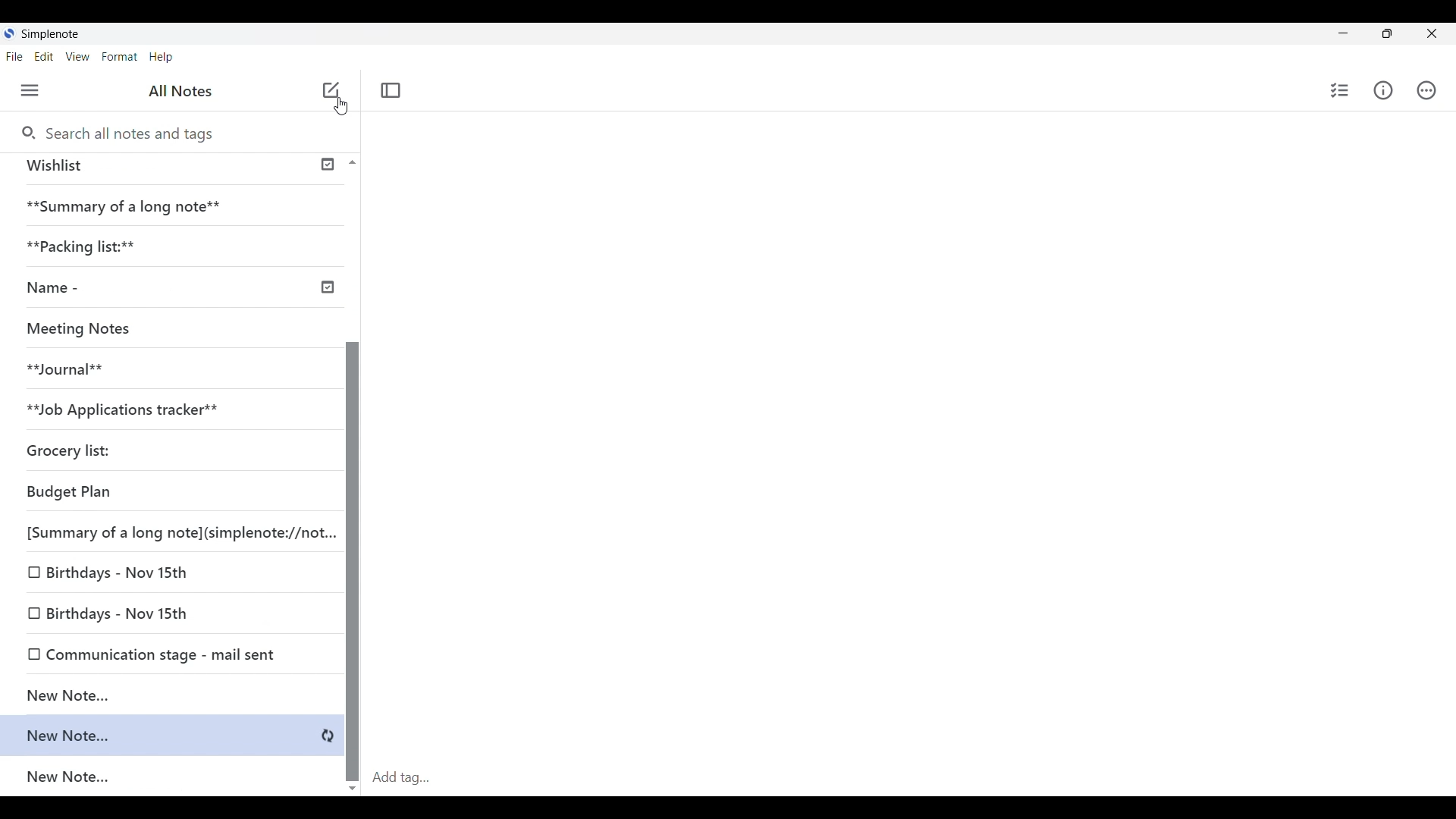 This screenshot has height=819, width=1456. I want to click on New note, so click(331, 89).